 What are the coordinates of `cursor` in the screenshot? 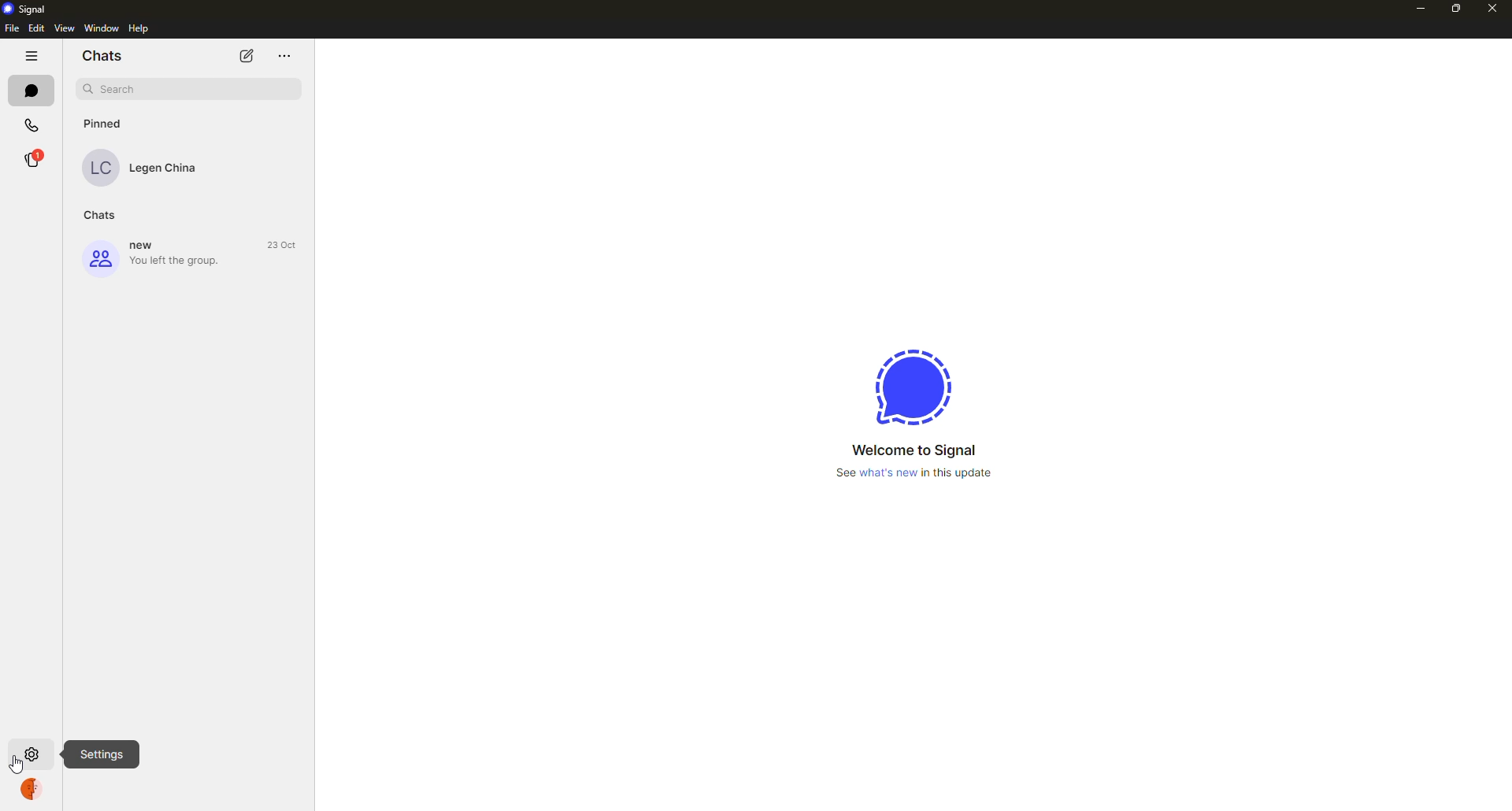 It's located at (18, 764).